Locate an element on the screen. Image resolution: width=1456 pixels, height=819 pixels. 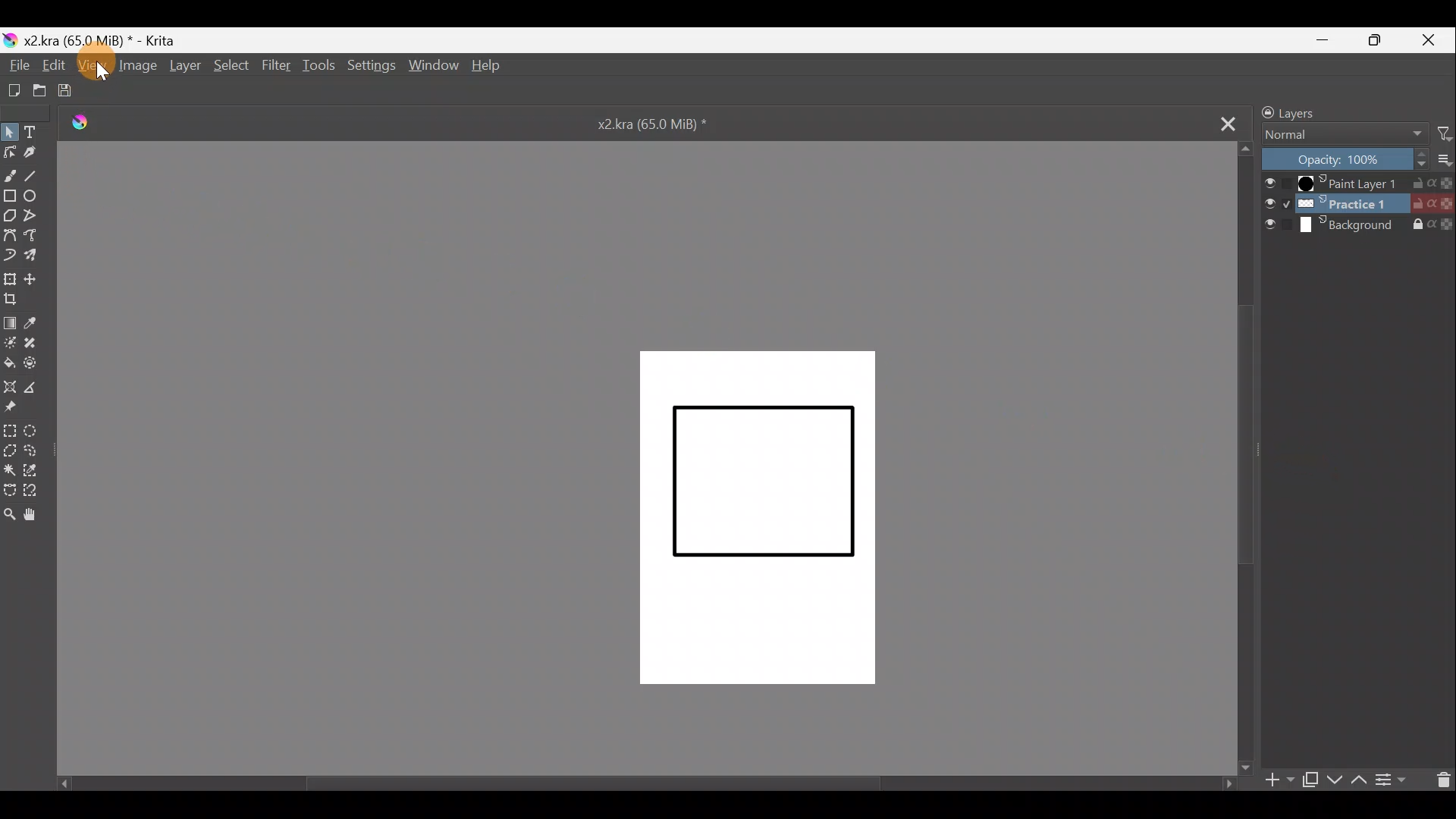
Add layer is located at coordinates (1279, 782).